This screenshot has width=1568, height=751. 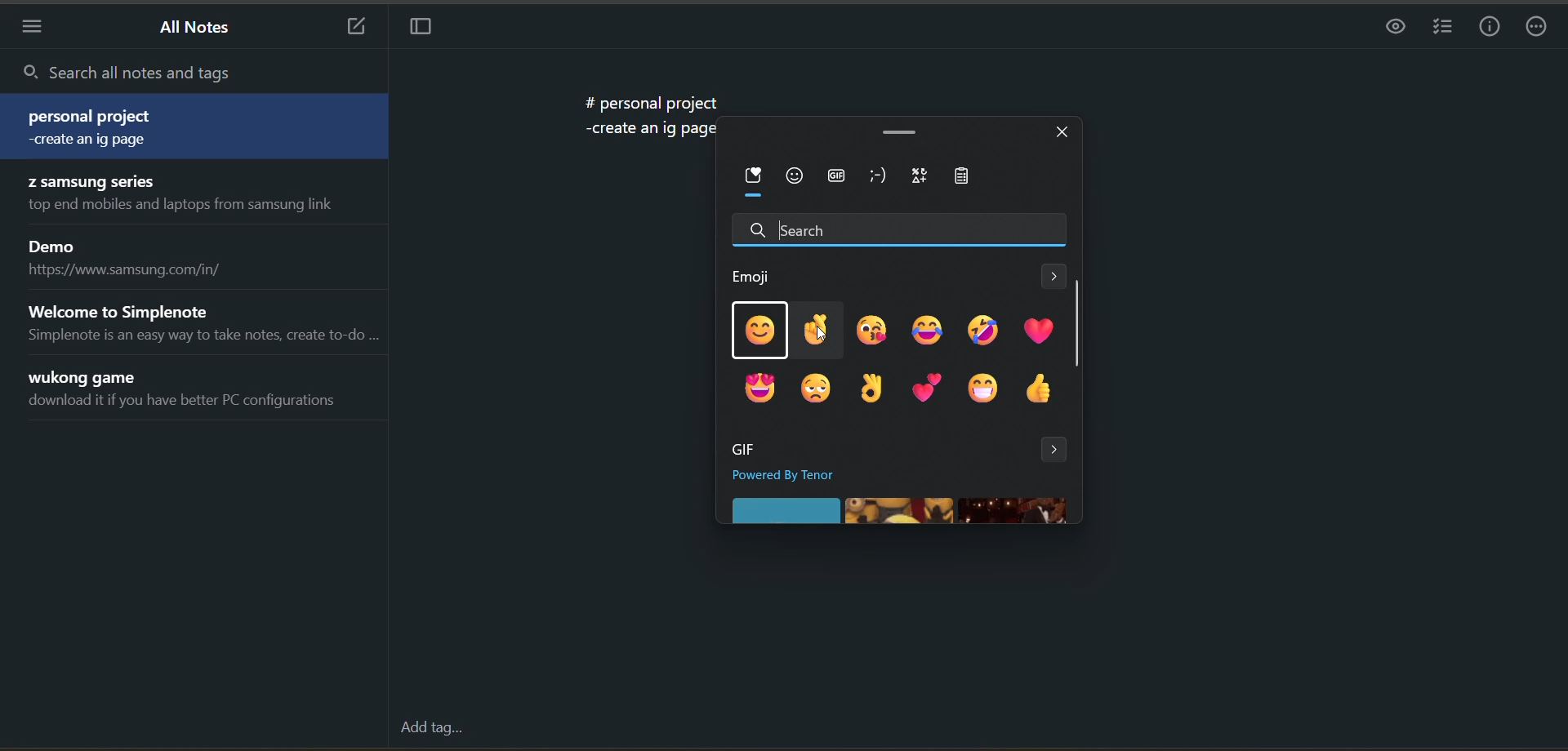 I want to click on insert checklist, so click(x=1444, y=29).